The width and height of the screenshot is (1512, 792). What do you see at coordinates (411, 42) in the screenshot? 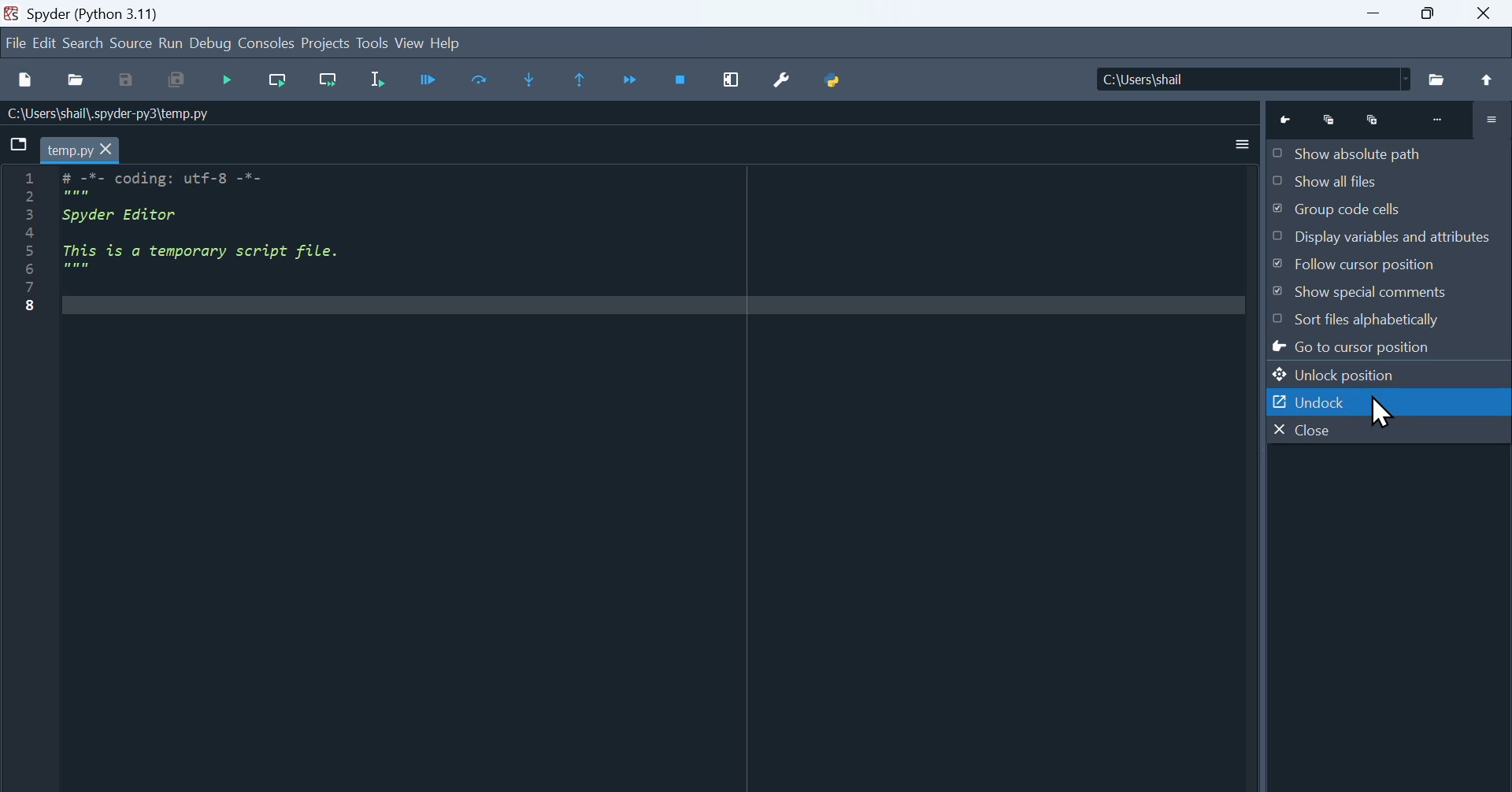
I see `View` at bounding box center [411, 42].